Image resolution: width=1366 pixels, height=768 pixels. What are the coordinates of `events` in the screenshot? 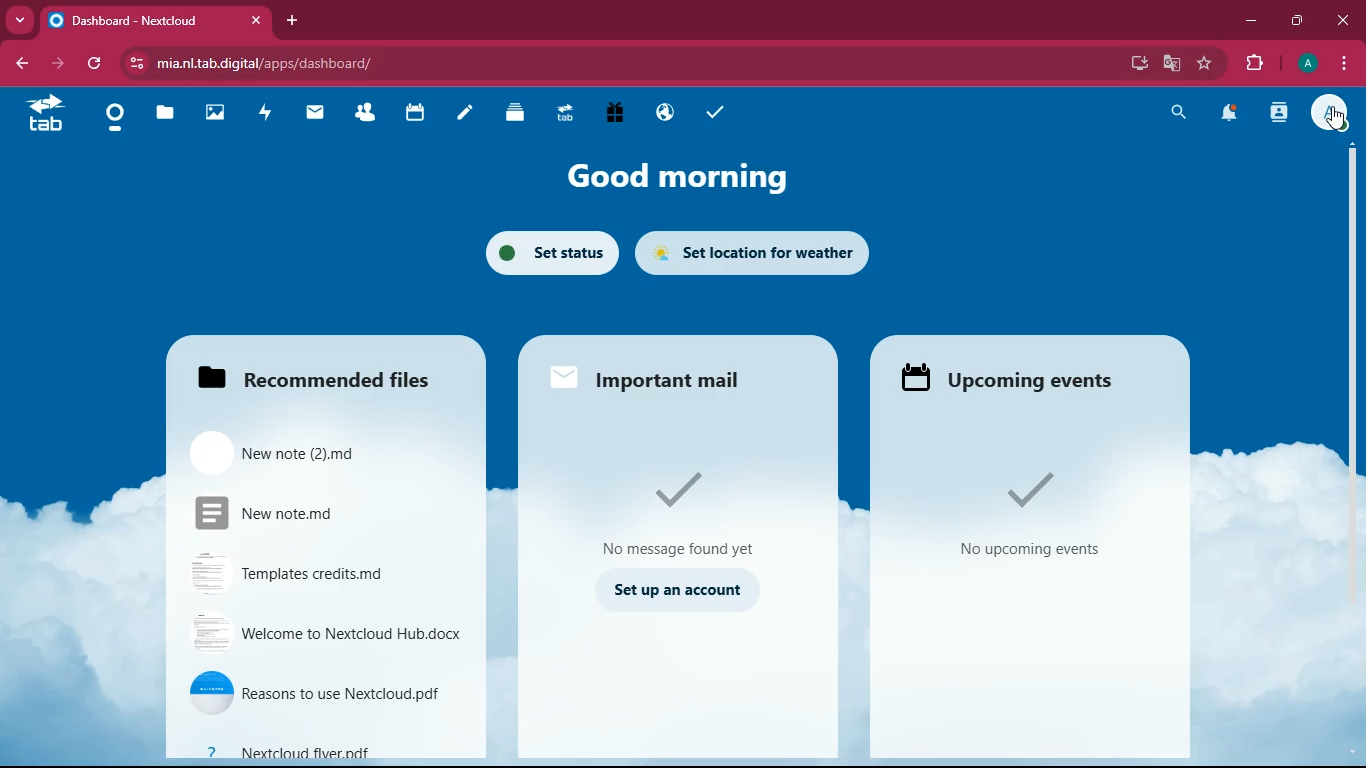 It's located at (1040, 514).